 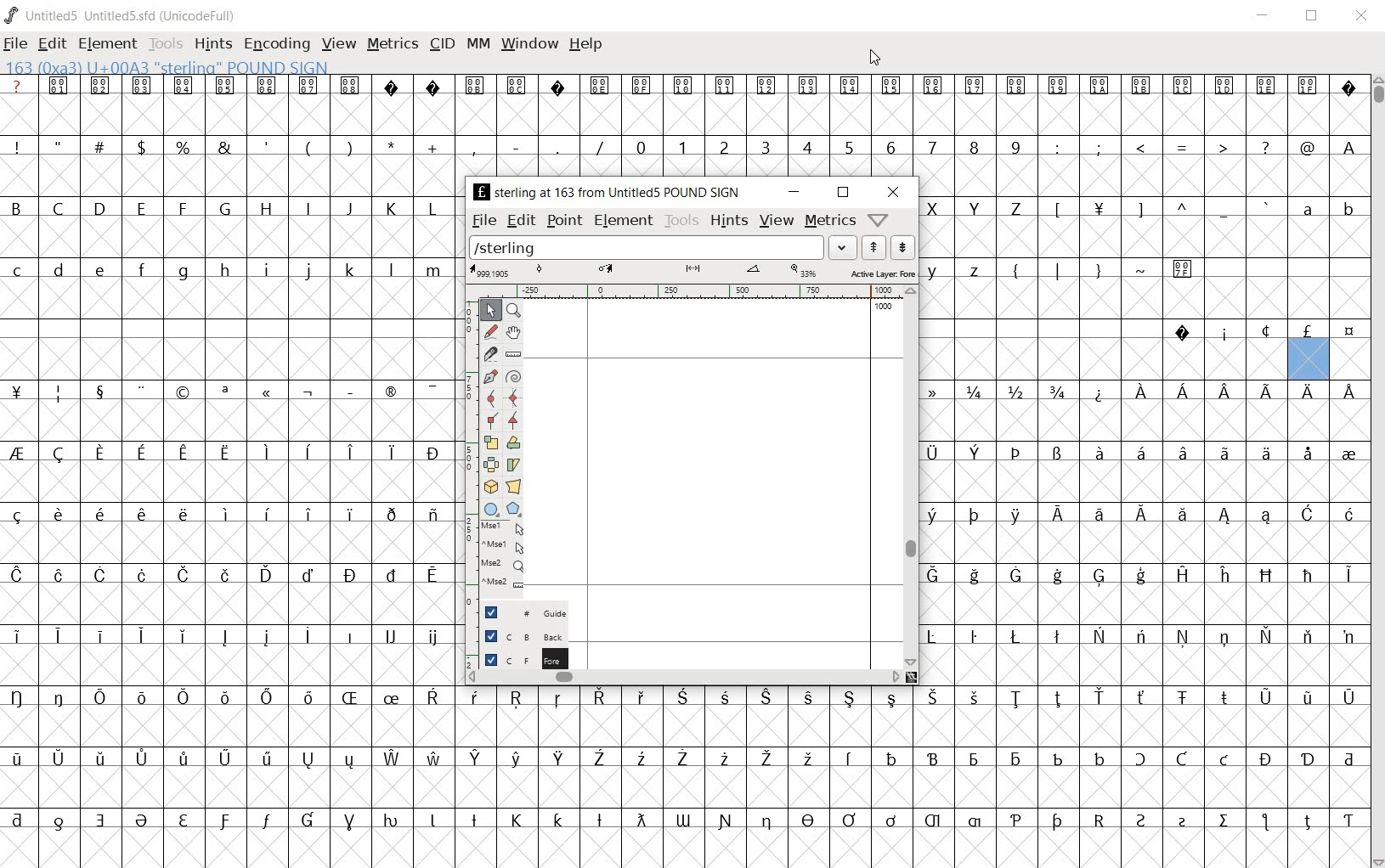 What do you see at coordinates (1015, 575) in the screenshot?
I see `Symbol` at bounding box center [1015, 575].